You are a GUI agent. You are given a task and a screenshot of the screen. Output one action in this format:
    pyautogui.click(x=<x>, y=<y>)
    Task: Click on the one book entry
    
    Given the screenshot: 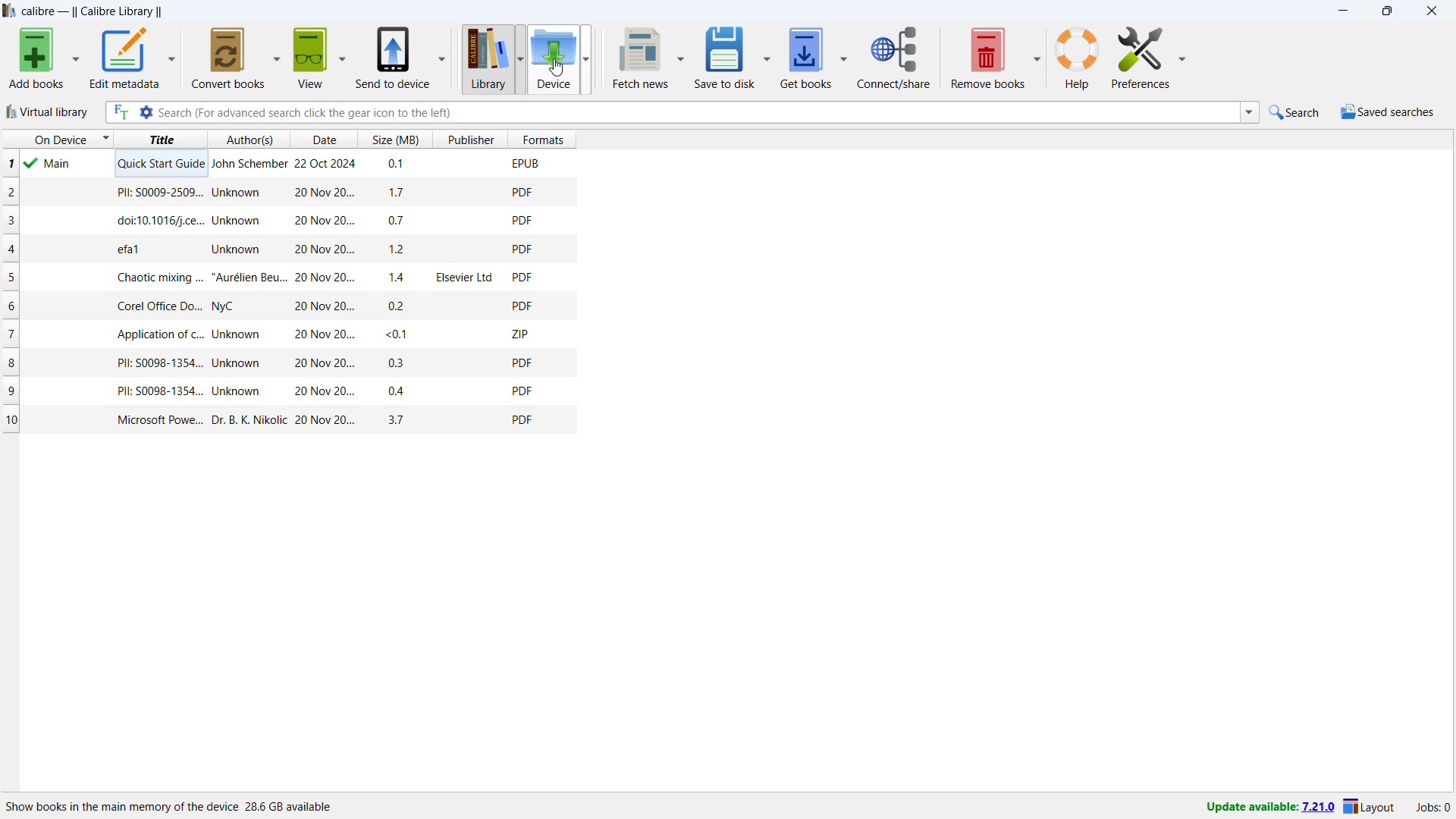 What is the action you would take?
    pyautogui.click(x=291, y=422)
    